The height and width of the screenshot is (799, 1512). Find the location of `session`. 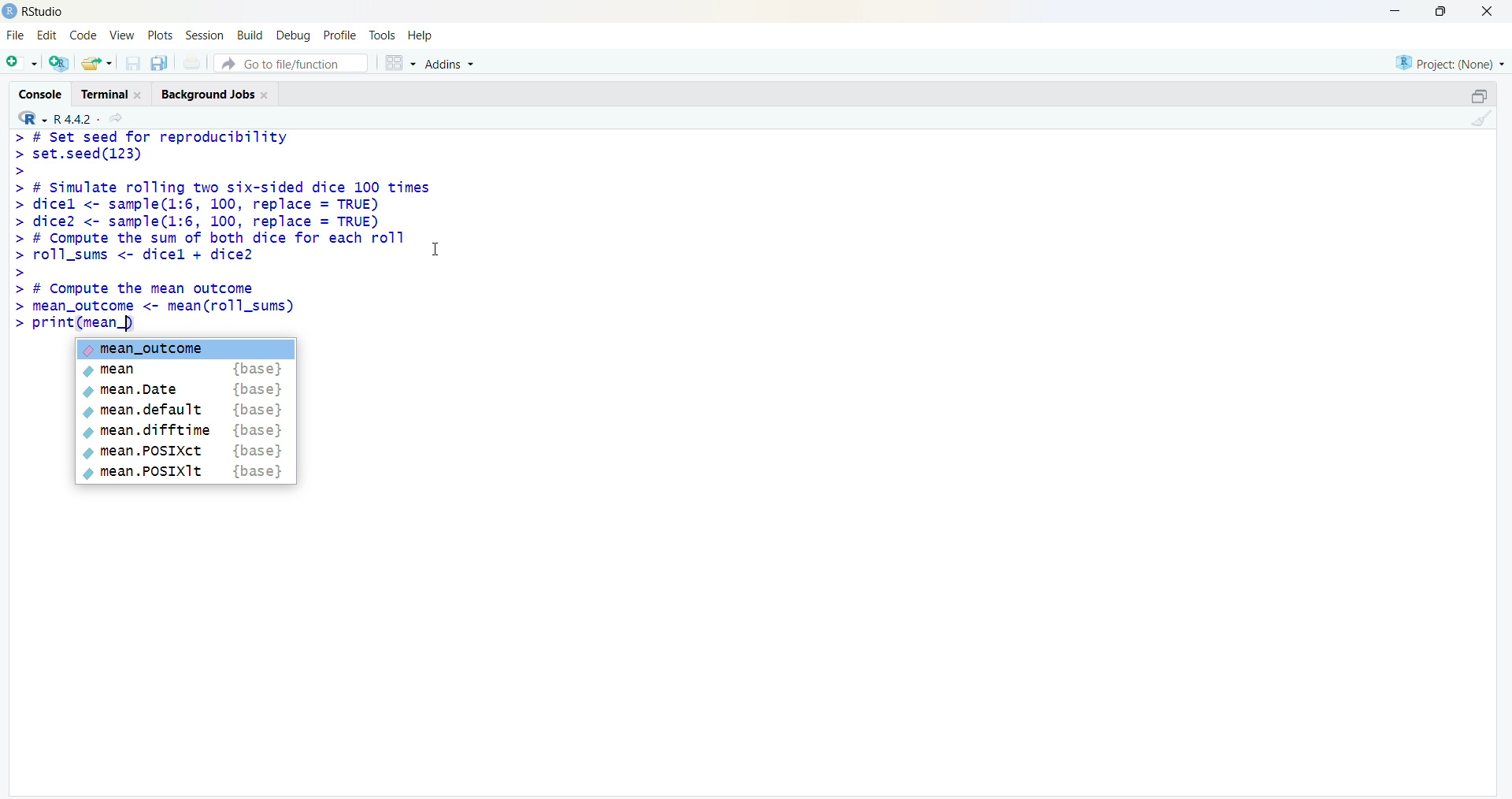

session is located at coordinates (205, 35).